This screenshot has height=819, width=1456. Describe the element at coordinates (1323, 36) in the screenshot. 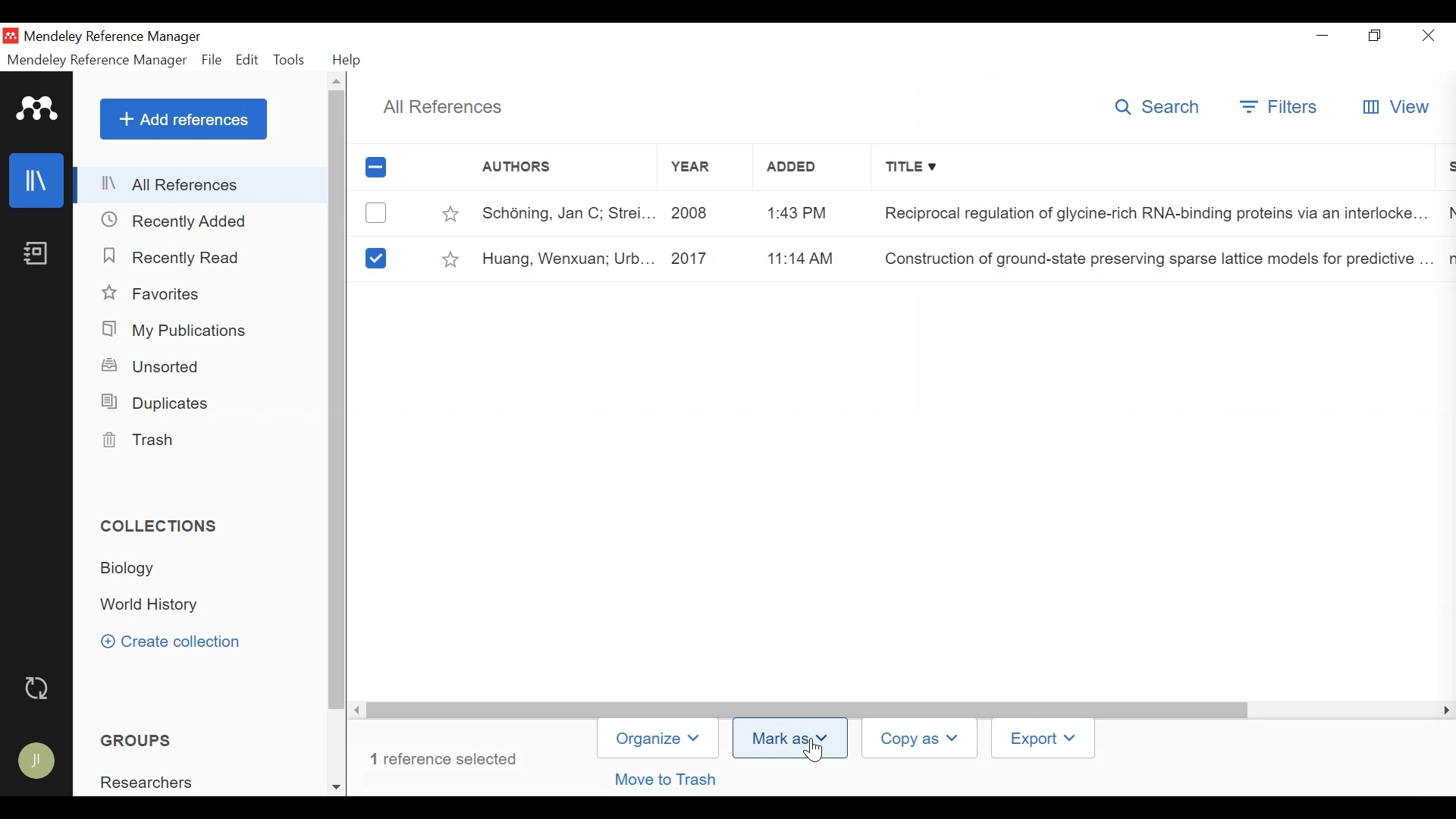

I see `minimize` at that location.